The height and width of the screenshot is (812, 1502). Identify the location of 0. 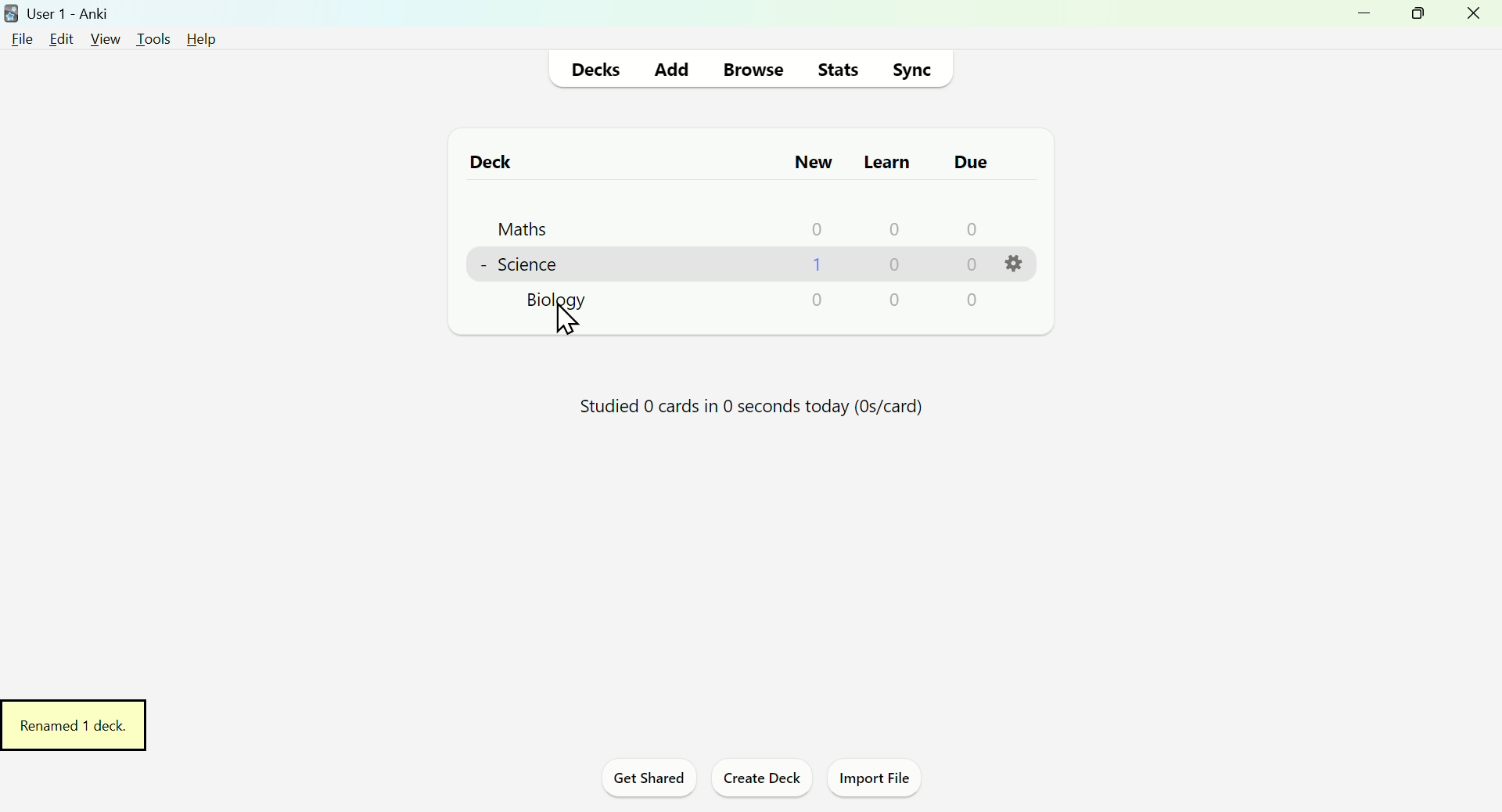
(820, 299).